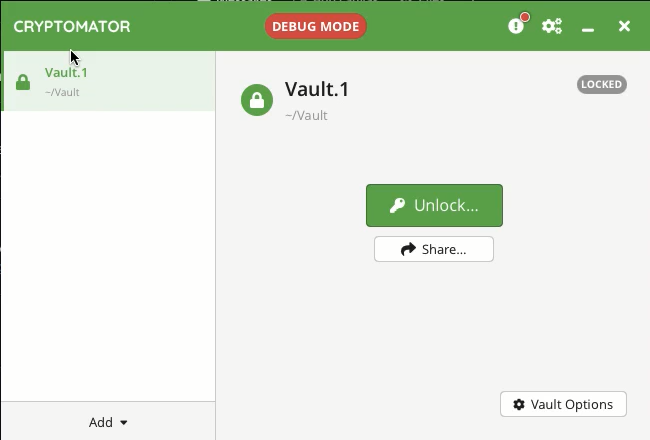 The width and height of the screenshot is (650, 440). I want to click on cursor, so click(76, 56).